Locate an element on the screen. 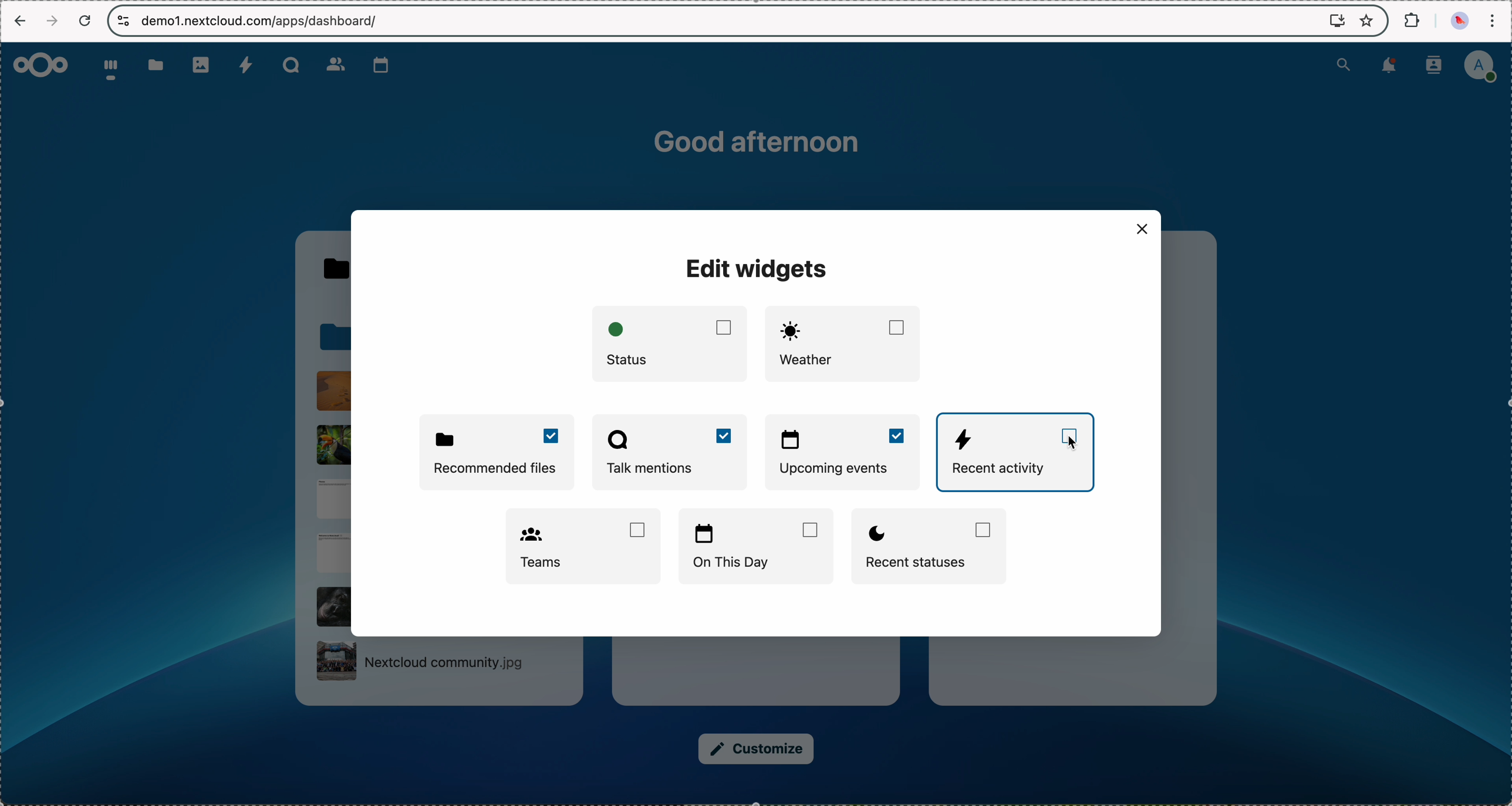 Image resolution: width=1512 pixels, height=806 pixels. folder is located at coordinates (338, 336).